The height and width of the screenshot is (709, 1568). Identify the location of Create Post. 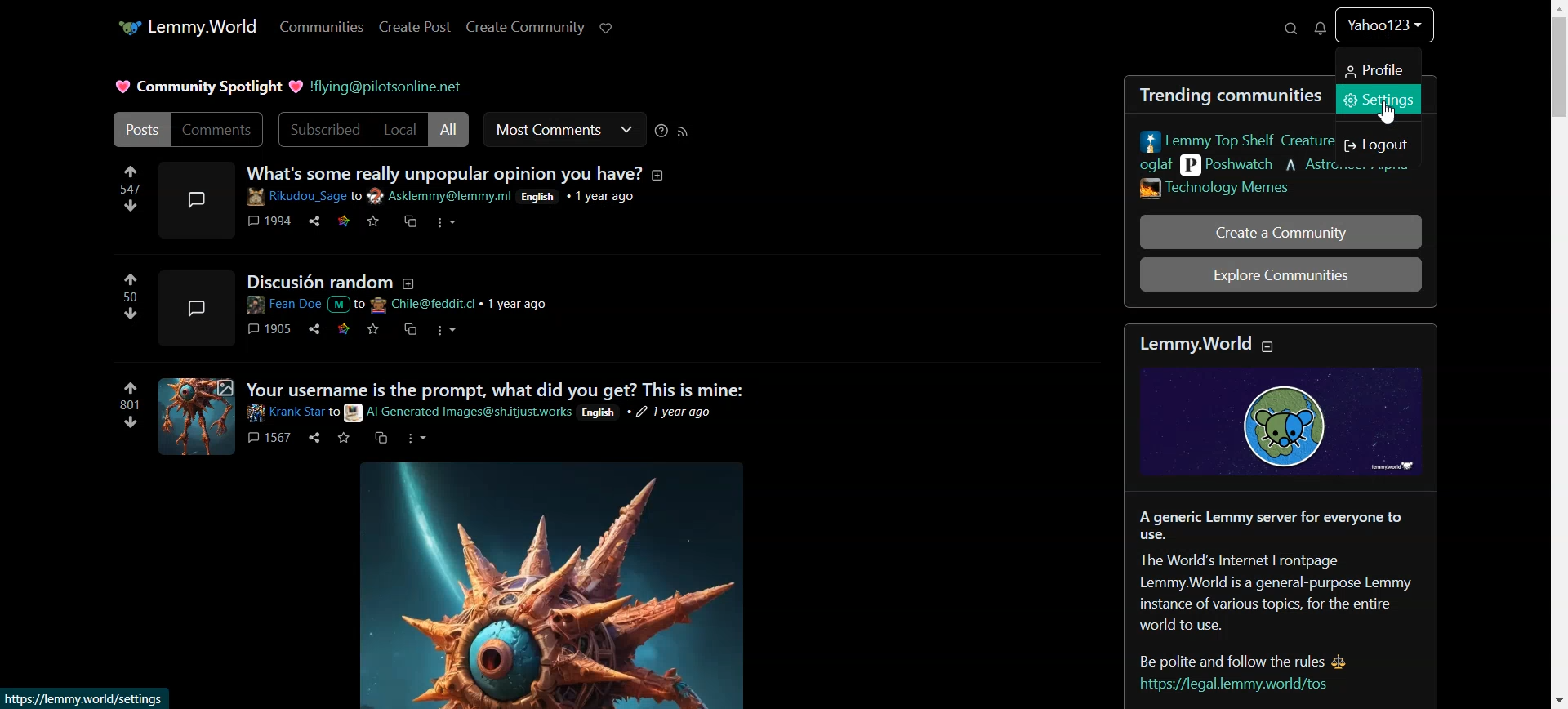
(416, 27).